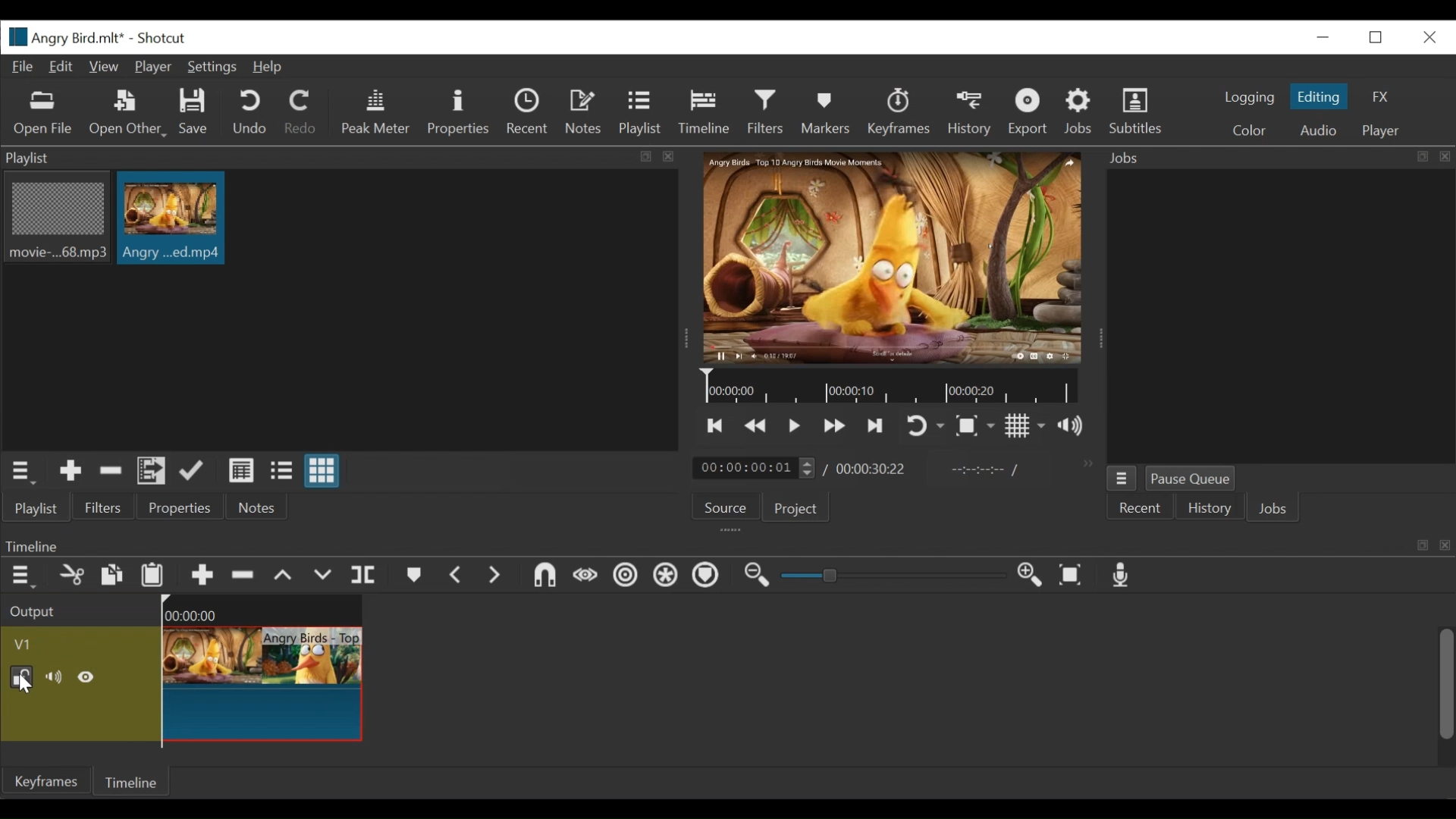 The width and height of the screenshot is (1456, 819). Describe the element at coordinates (1081, 112) in the screenshot. I see `Jobs` at that location.